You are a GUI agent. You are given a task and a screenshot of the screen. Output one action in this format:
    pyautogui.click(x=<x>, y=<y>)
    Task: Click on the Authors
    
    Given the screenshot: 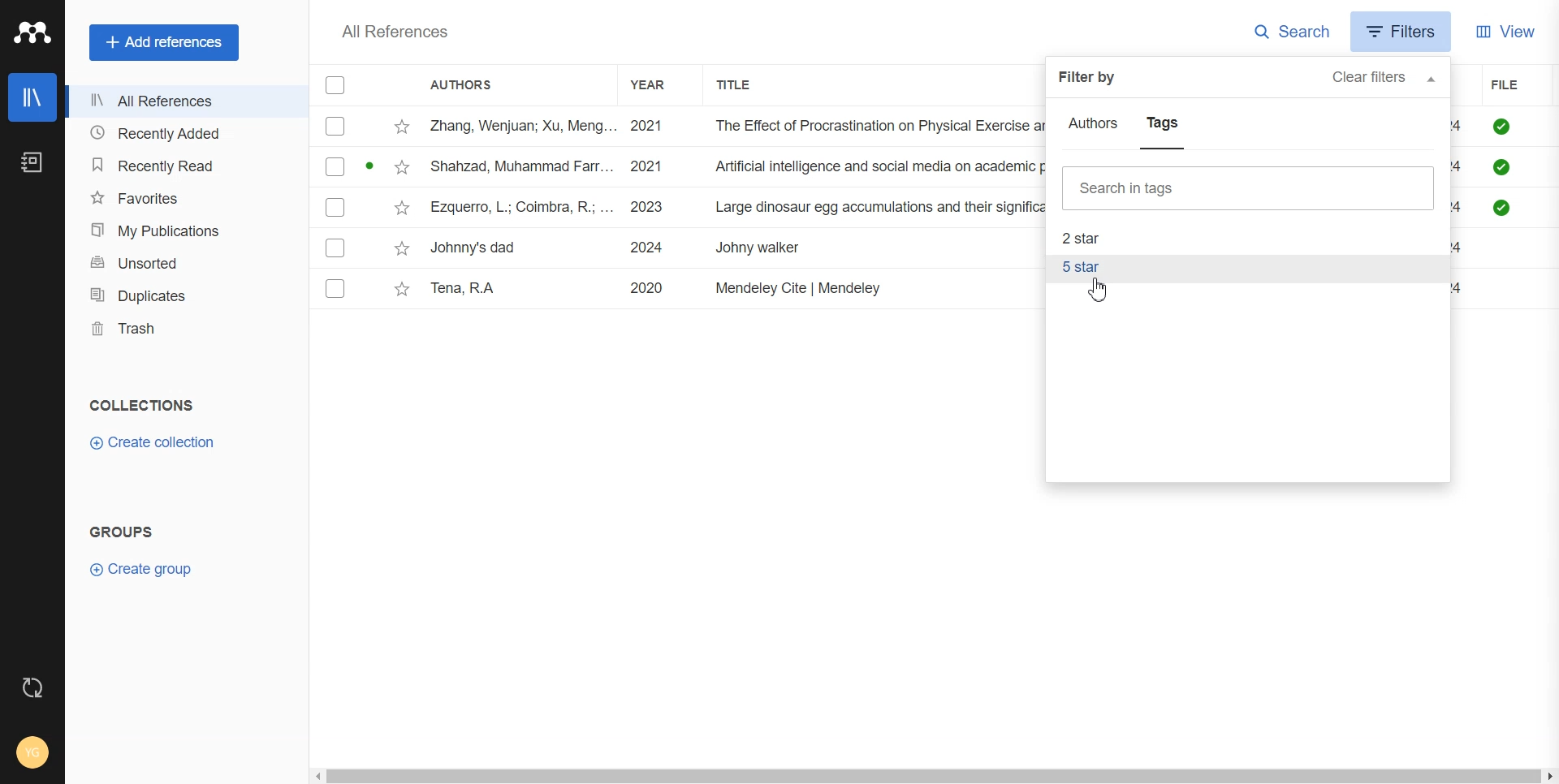 What is the action you would take?
    pyautogui.click(x=1095, y=126)
    